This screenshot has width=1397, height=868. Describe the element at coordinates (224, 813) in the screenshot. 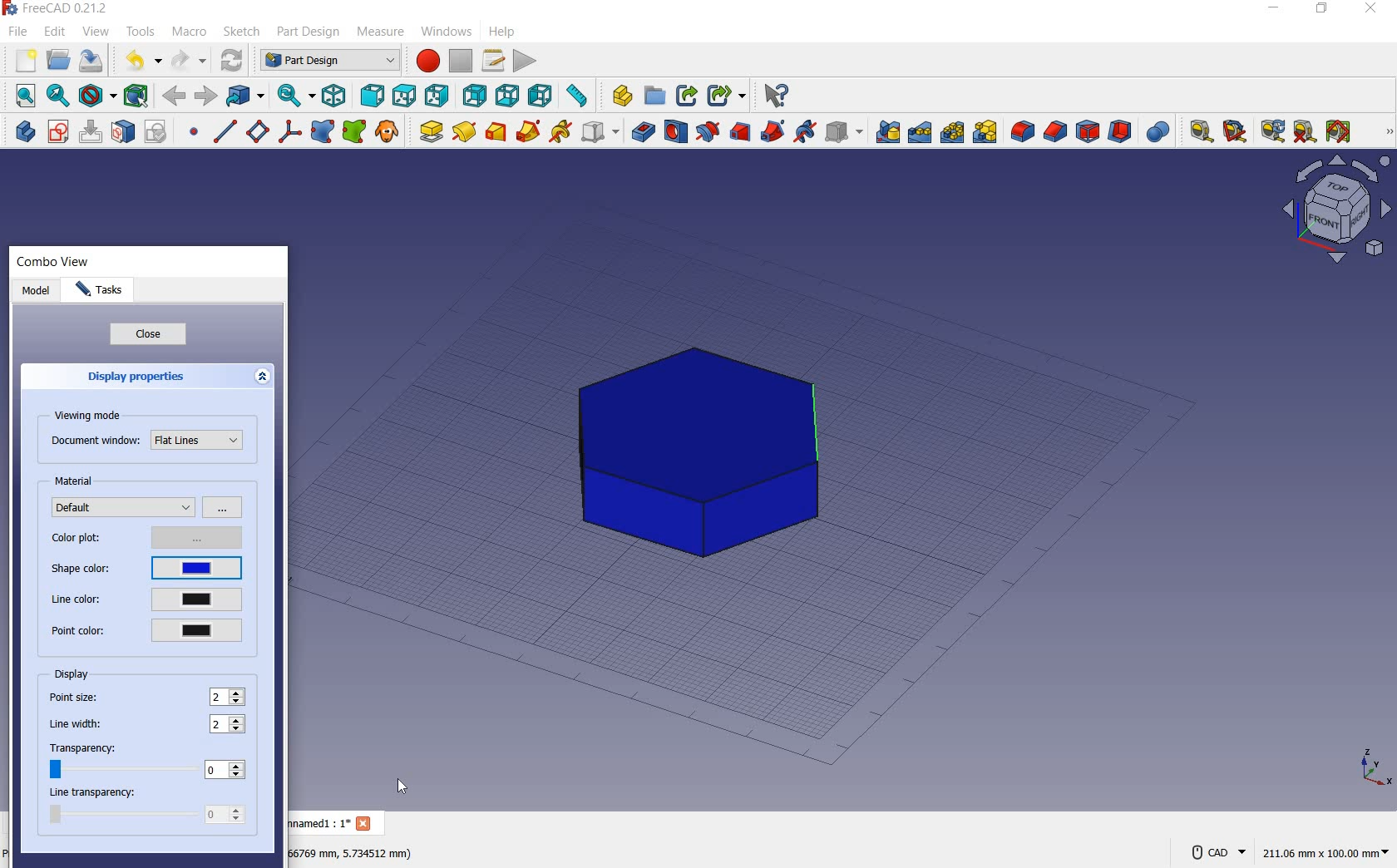

I see `line transparency: 0` at that location.